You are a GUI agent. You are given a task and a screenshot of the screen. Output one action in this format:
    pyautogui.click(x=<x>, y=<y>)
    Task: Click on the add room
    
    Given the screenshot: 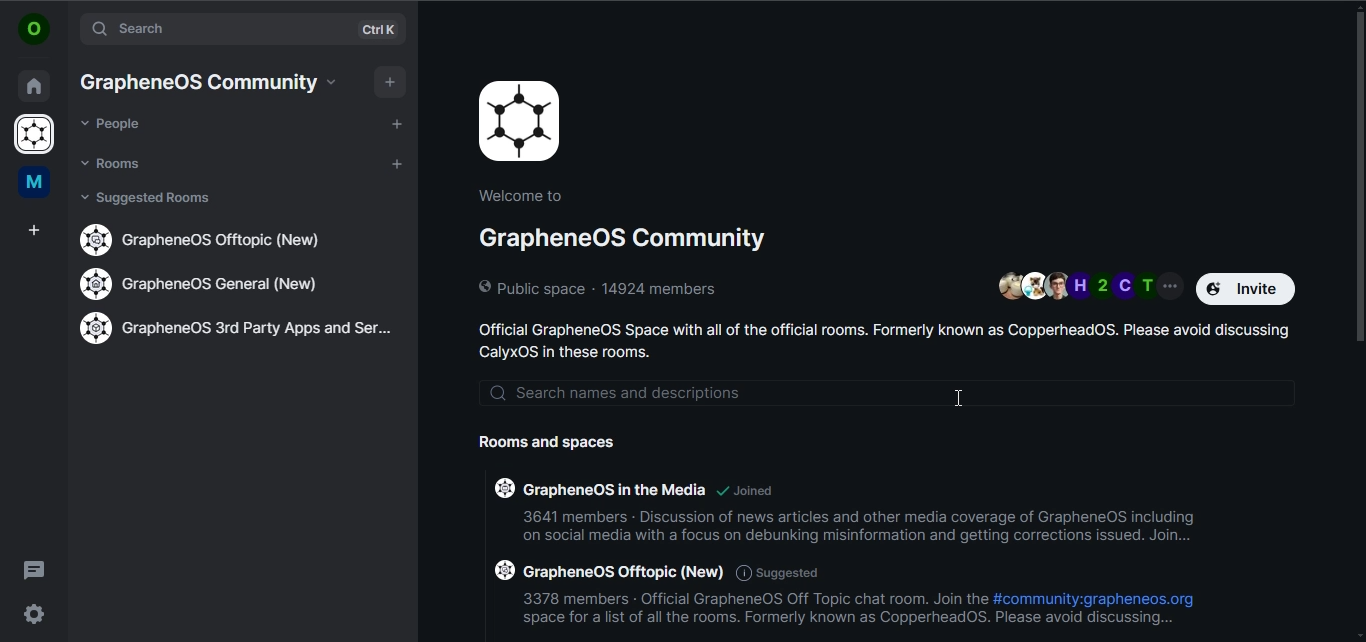 What is the action you would take?
    pyautogui.click(x=400, y=165)
    